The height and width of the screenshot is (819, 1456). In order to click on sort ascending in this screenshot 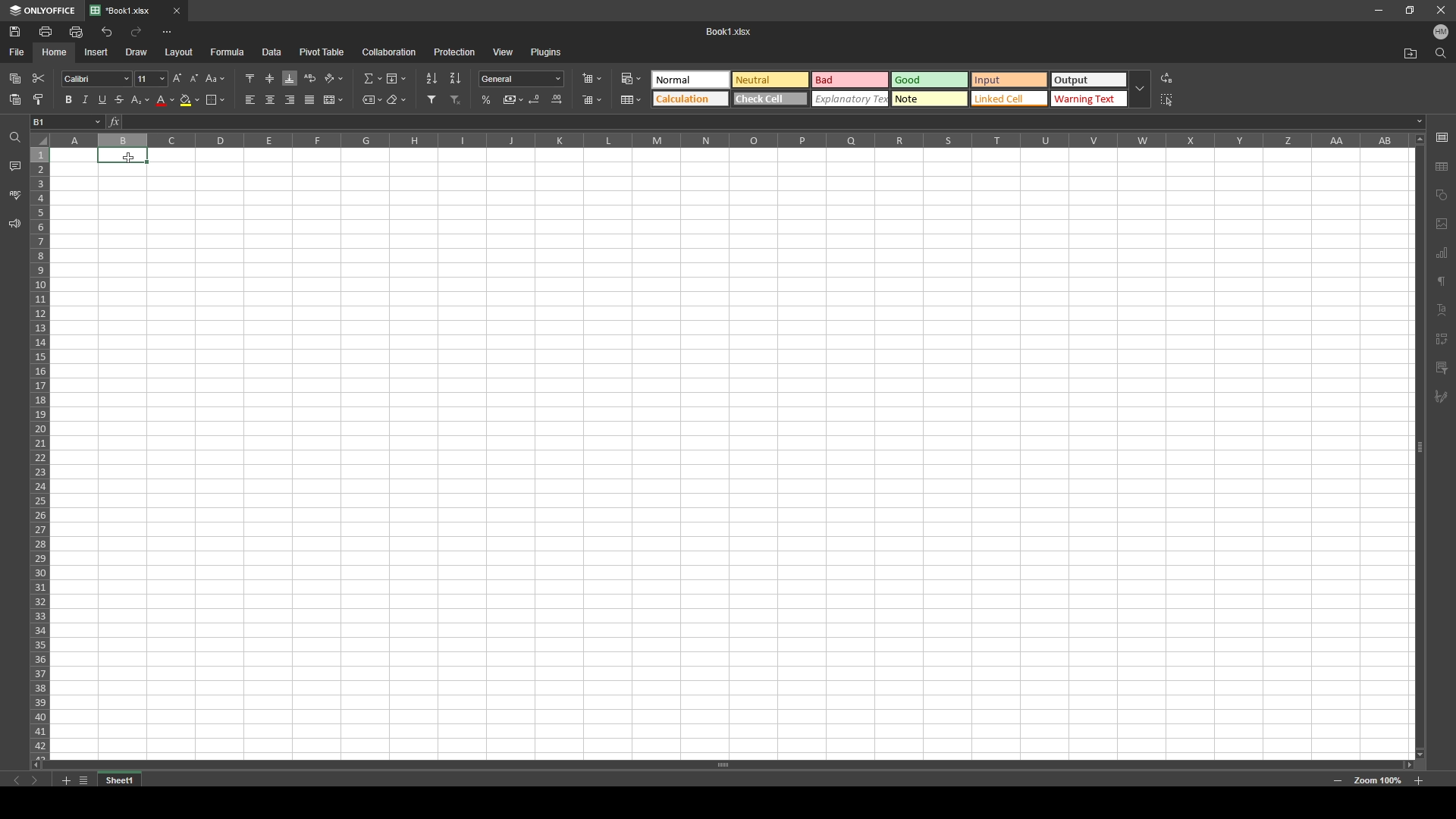, I will do `click(432, 79)`.